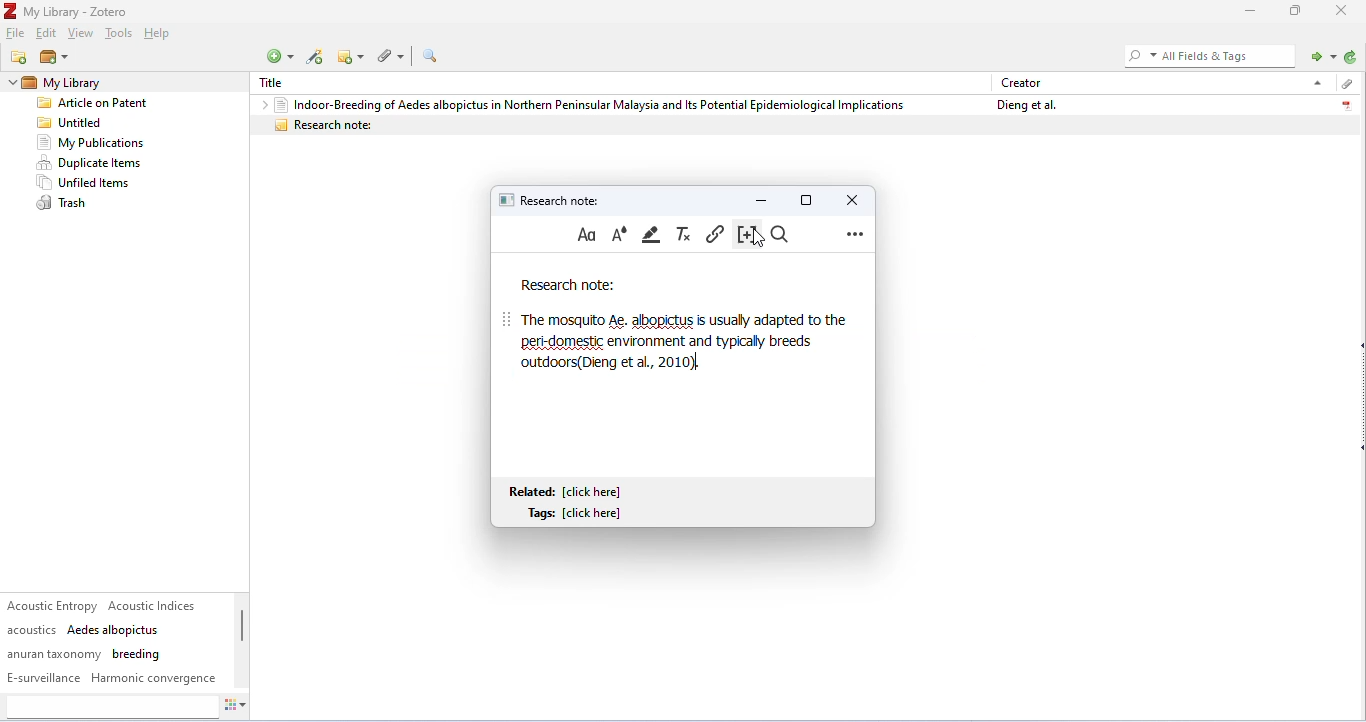 The width and height of the screenshot is (1366, 722). Describe the element at coordinates (804, 125) in the screenshot. I see `research note` at that location.